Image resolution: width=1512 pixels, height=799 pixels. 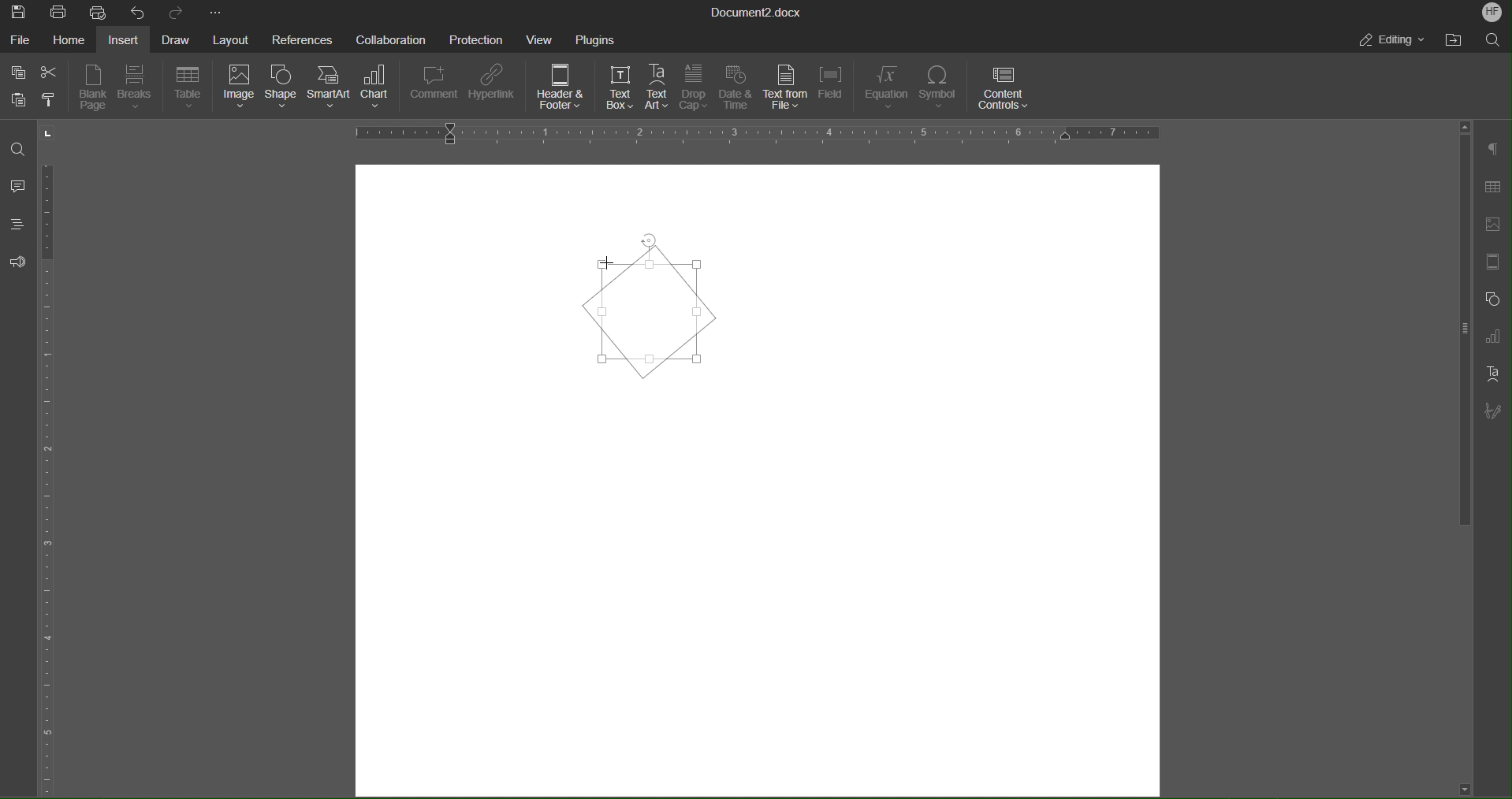 I want to click on Header & Footer, so click(x=562, y=89).